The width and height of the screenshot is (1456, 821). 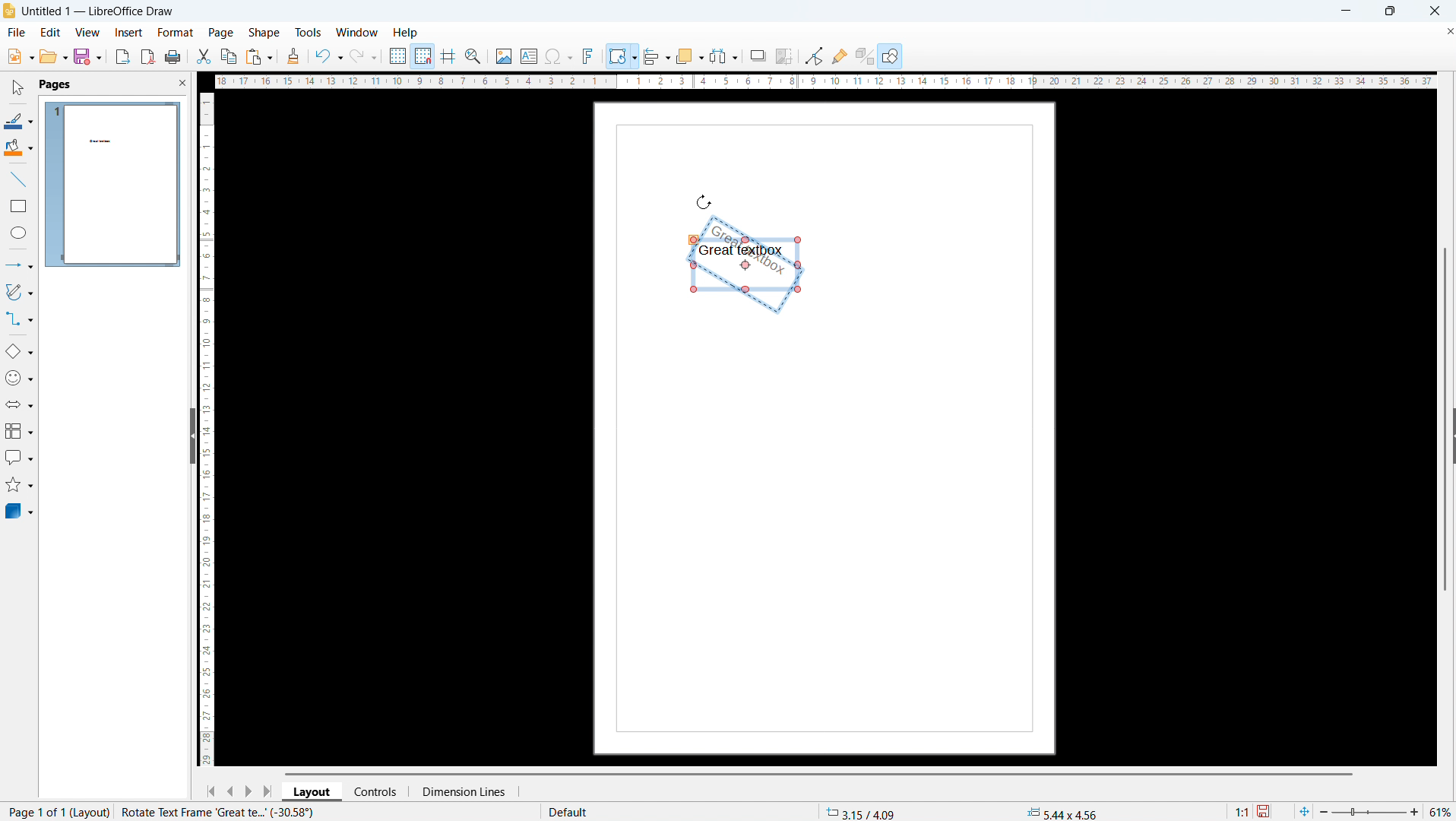 I want to click on Close document , so click(x=1447, y=30).